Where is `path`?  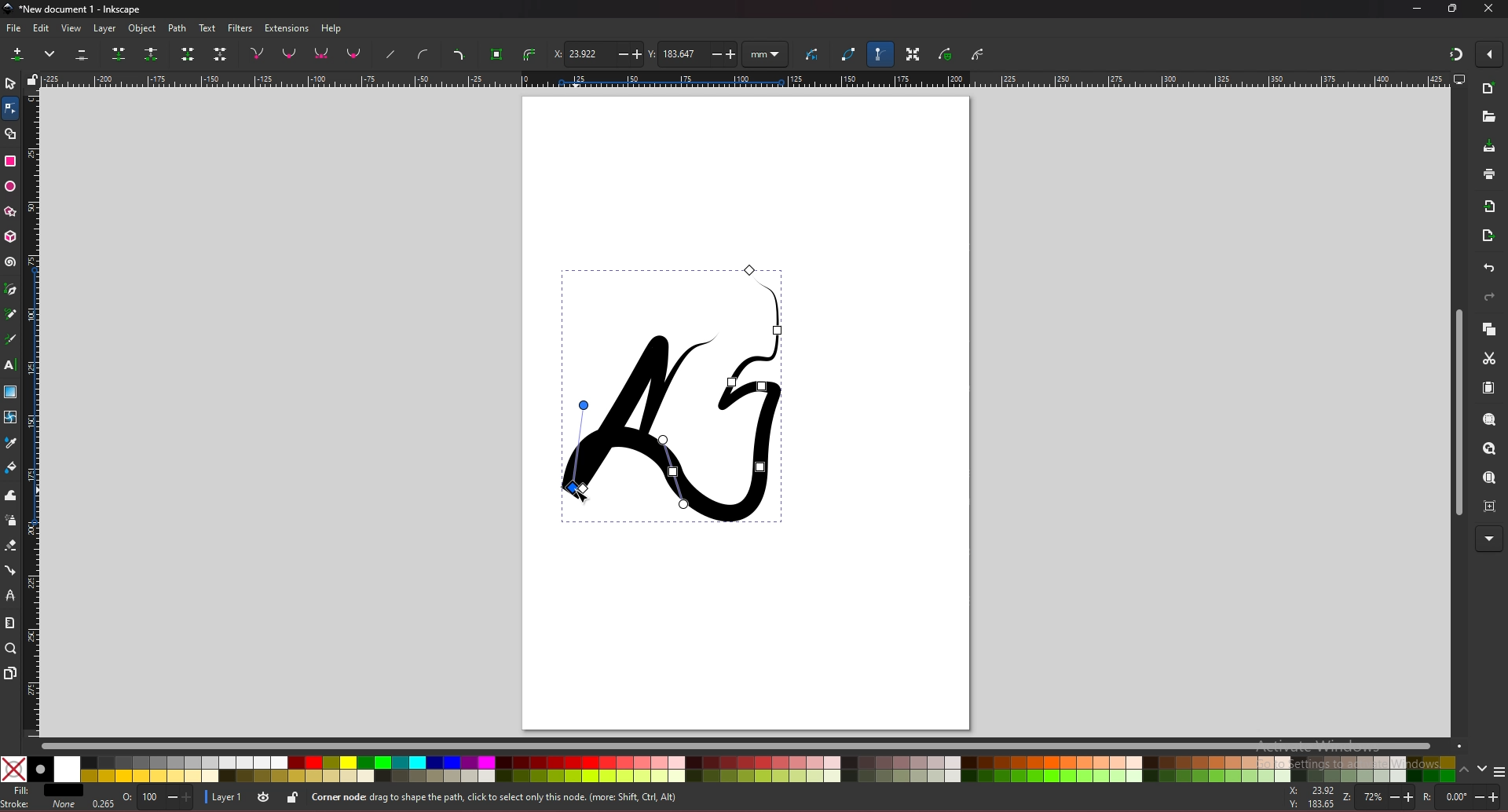 path is located at coordinates (178, 29).